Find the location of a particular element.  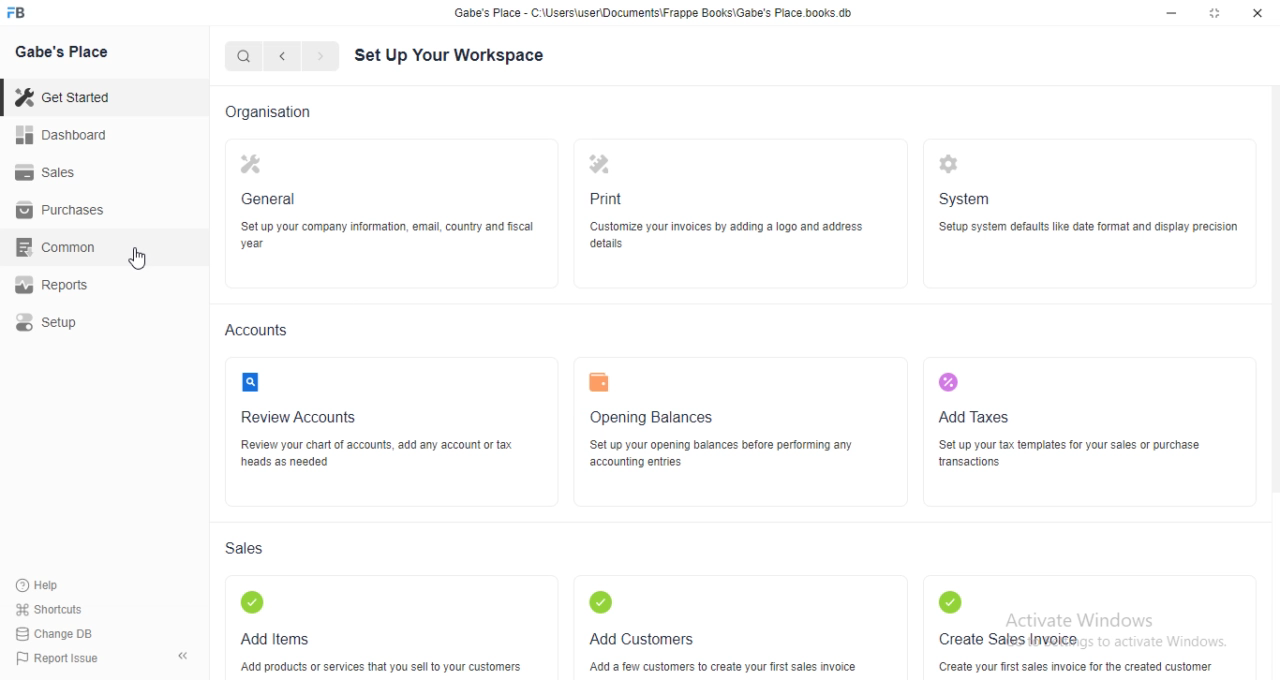

Create your first sales invoice for he created customer is located at coordinates (1078, 664).